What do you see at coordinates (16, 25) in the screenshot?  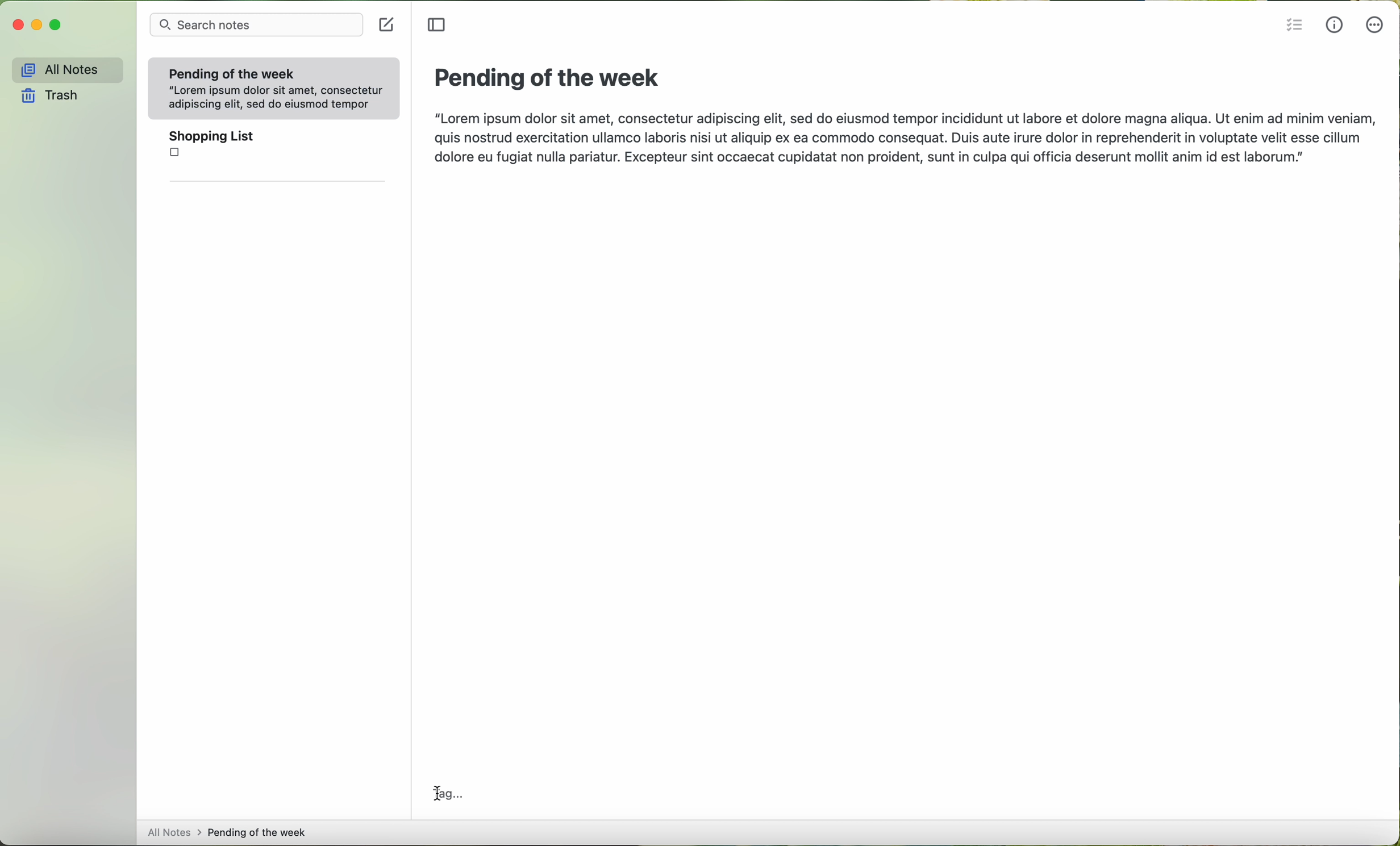 I see `close program` at bounding box center [16, 25].